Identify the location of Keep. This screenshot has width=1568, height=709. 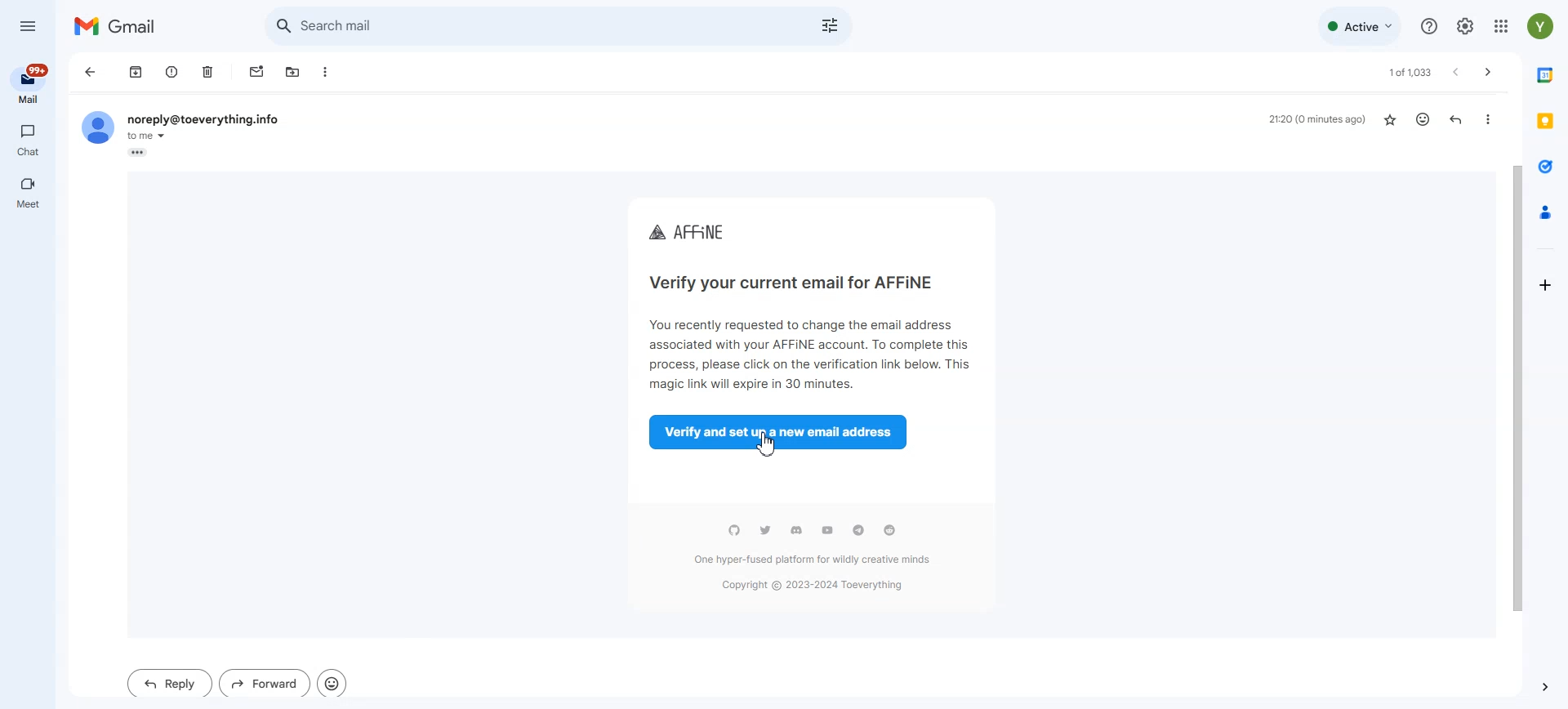
(1544, 123).